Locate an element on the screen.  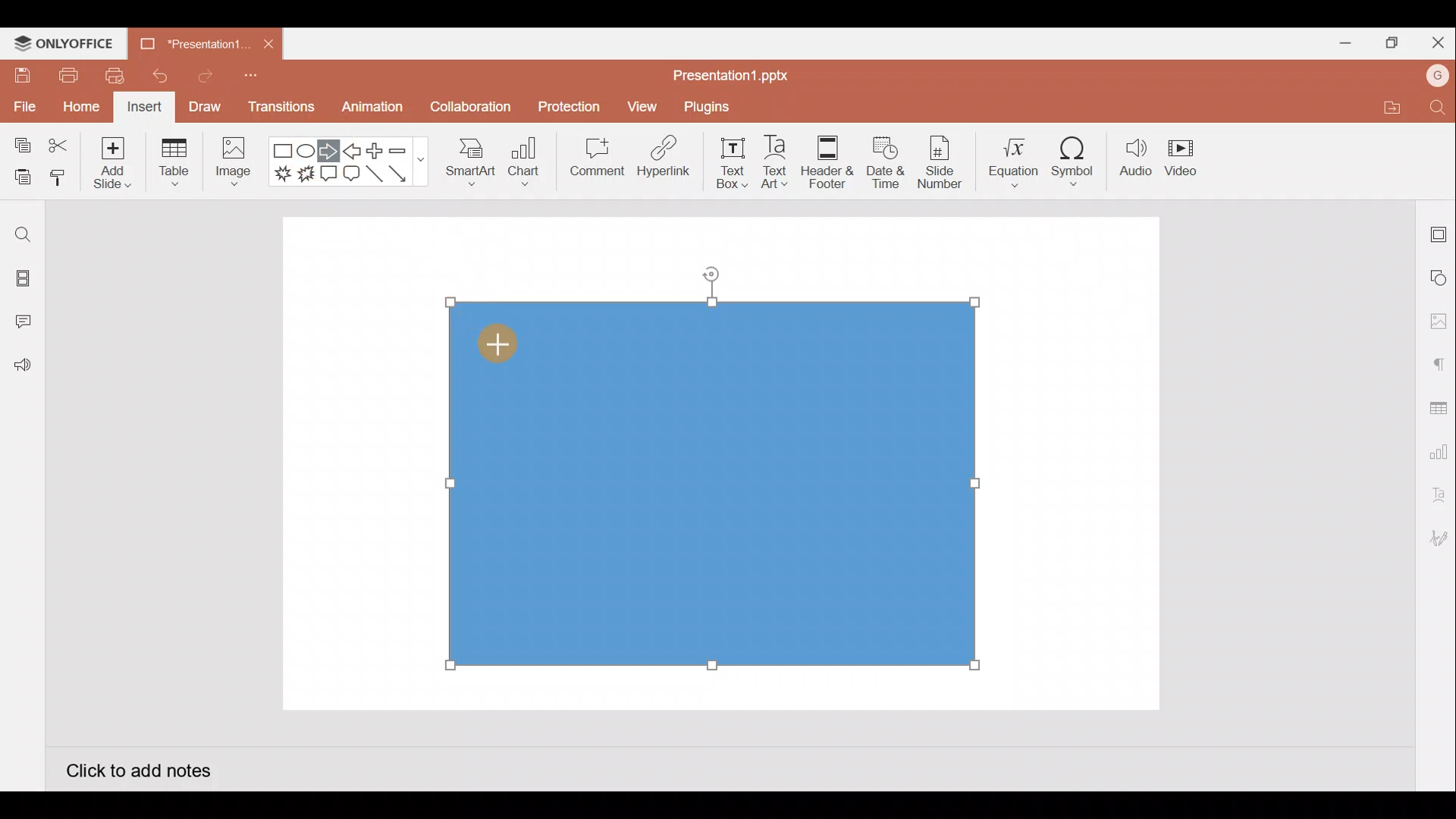
Plugins is located at coordinates (717, 105).